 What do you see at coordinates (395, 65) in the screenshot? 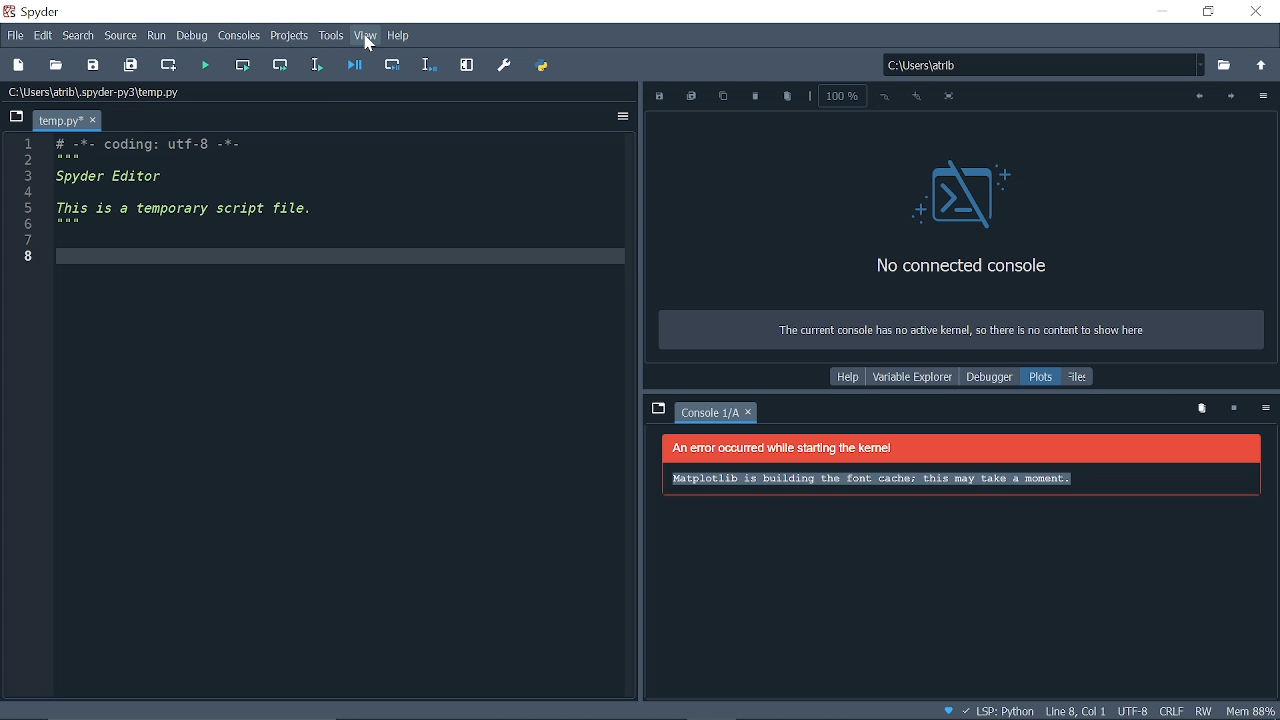
I see `Debug cell` at bounding box center [395, 65].